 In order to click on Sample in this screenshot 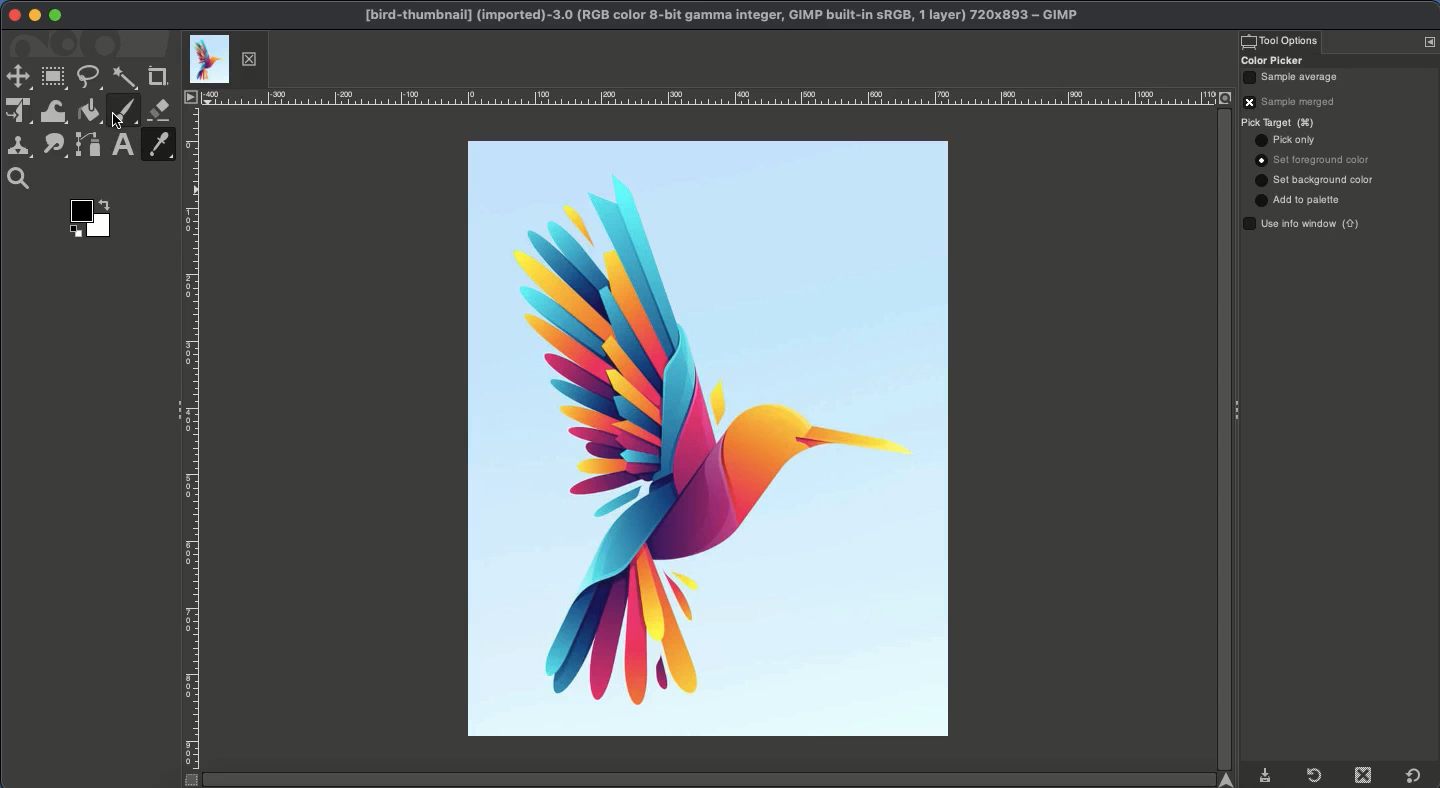, I will do `click(1296, 101)`.